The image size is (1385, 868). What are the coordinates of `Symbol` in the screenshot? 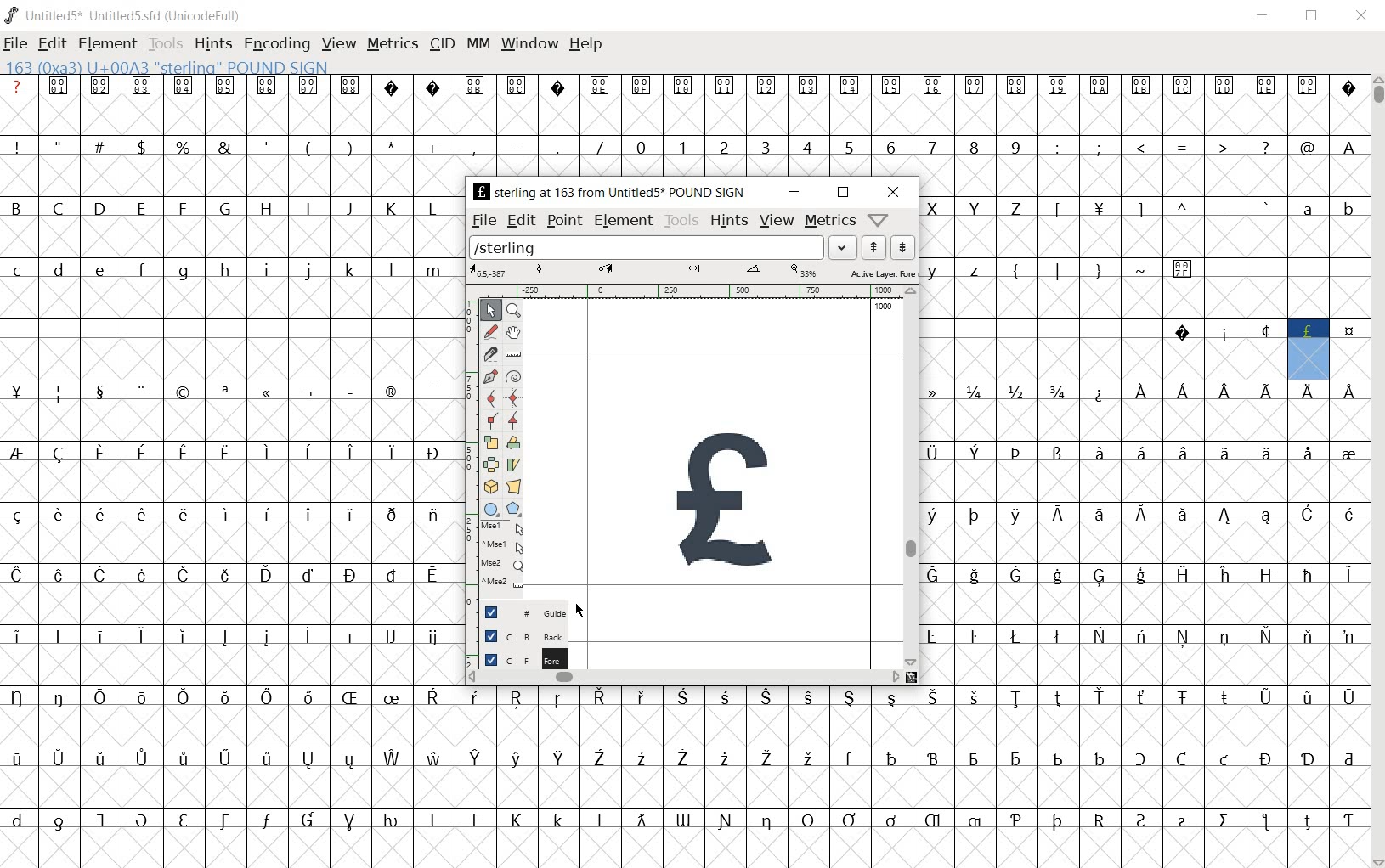 It's located at (432, 638).